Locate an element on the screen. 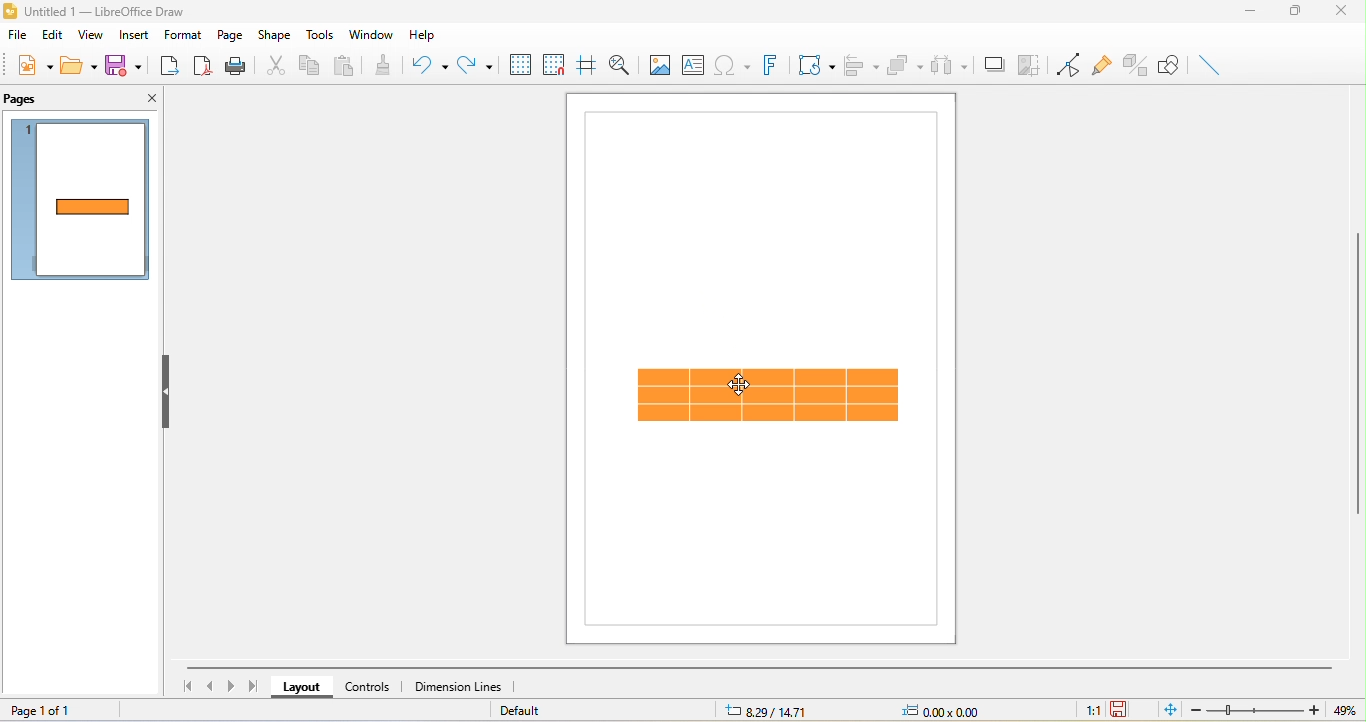 This screenshot has height=722, width=1366. first page is located at coordinates (187, 687).